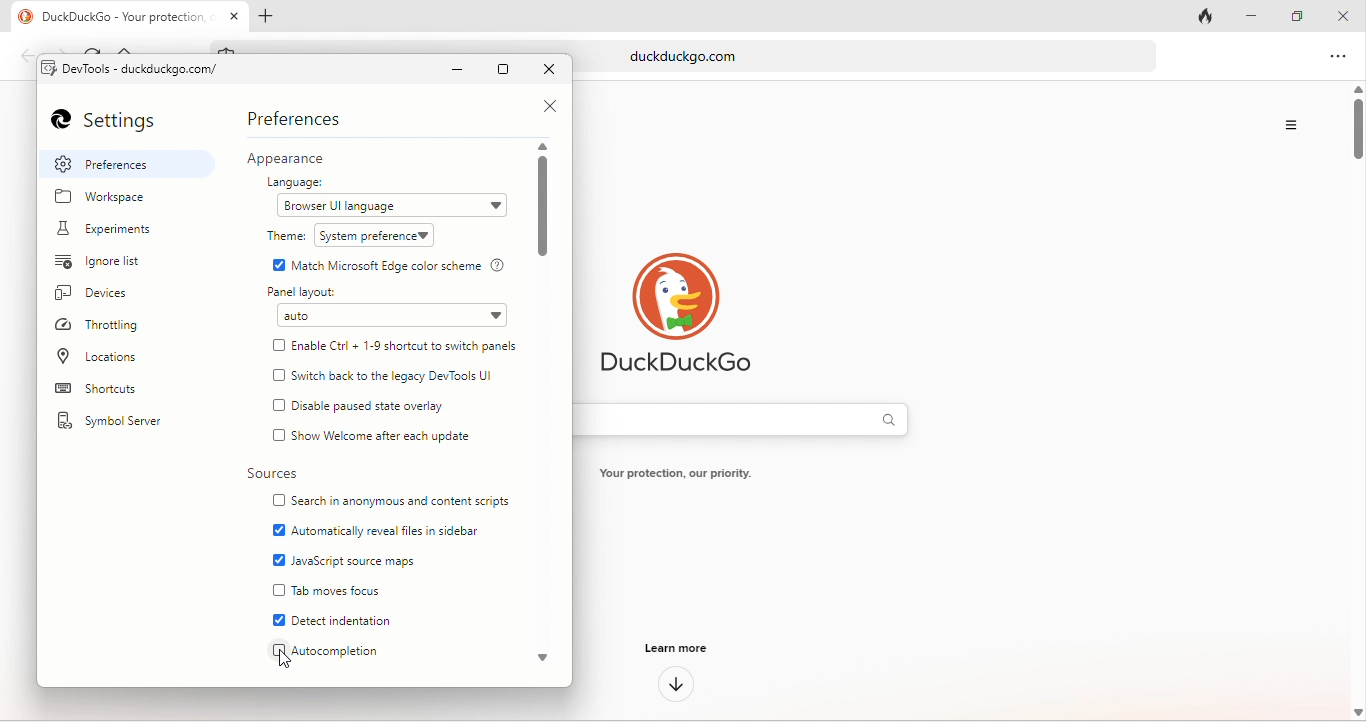 This screenshot has width=1366, height=722. What do you see at coordinates (109, 326) in the screenshot?
I see `throttlings` at bounding box center [109, 326].